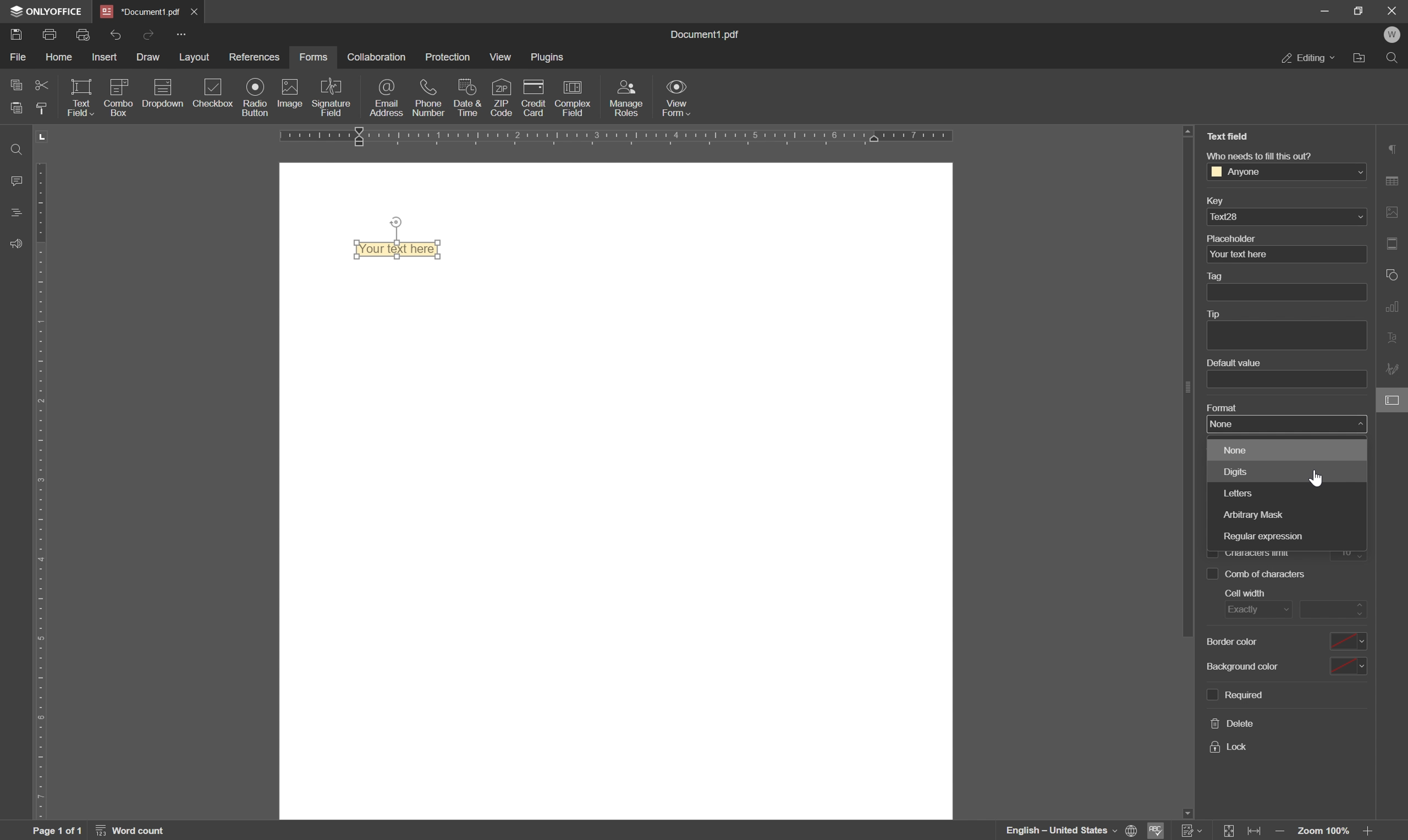 Image resolution: width=1408 pixels, height=840 pixels. Describe the element at coordinates (1371, 832) in the screenshot. I see `zoom out` at that location.